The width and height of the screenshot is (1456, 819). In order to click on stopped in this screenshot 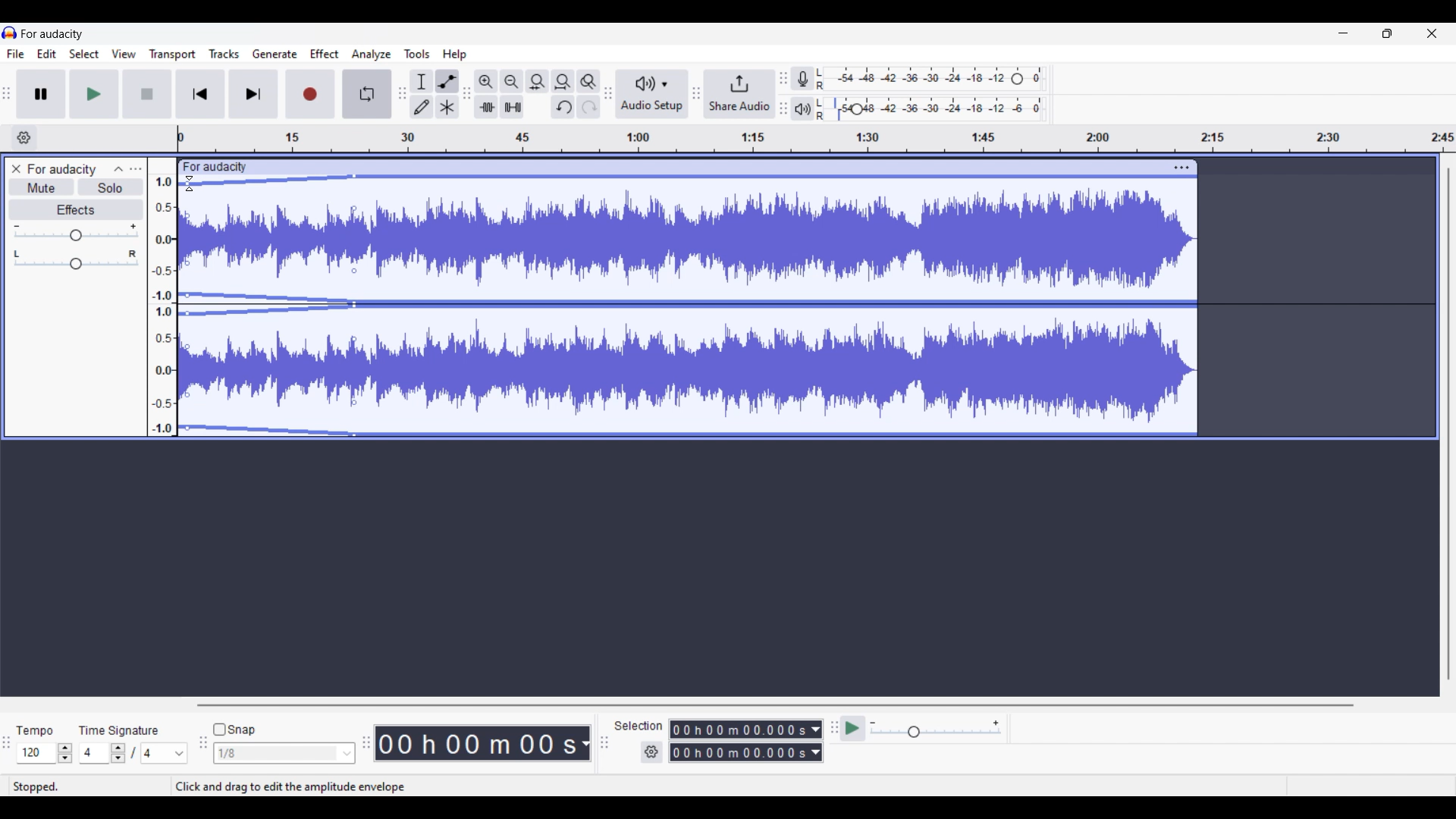, I will do `click(36, 787)`.